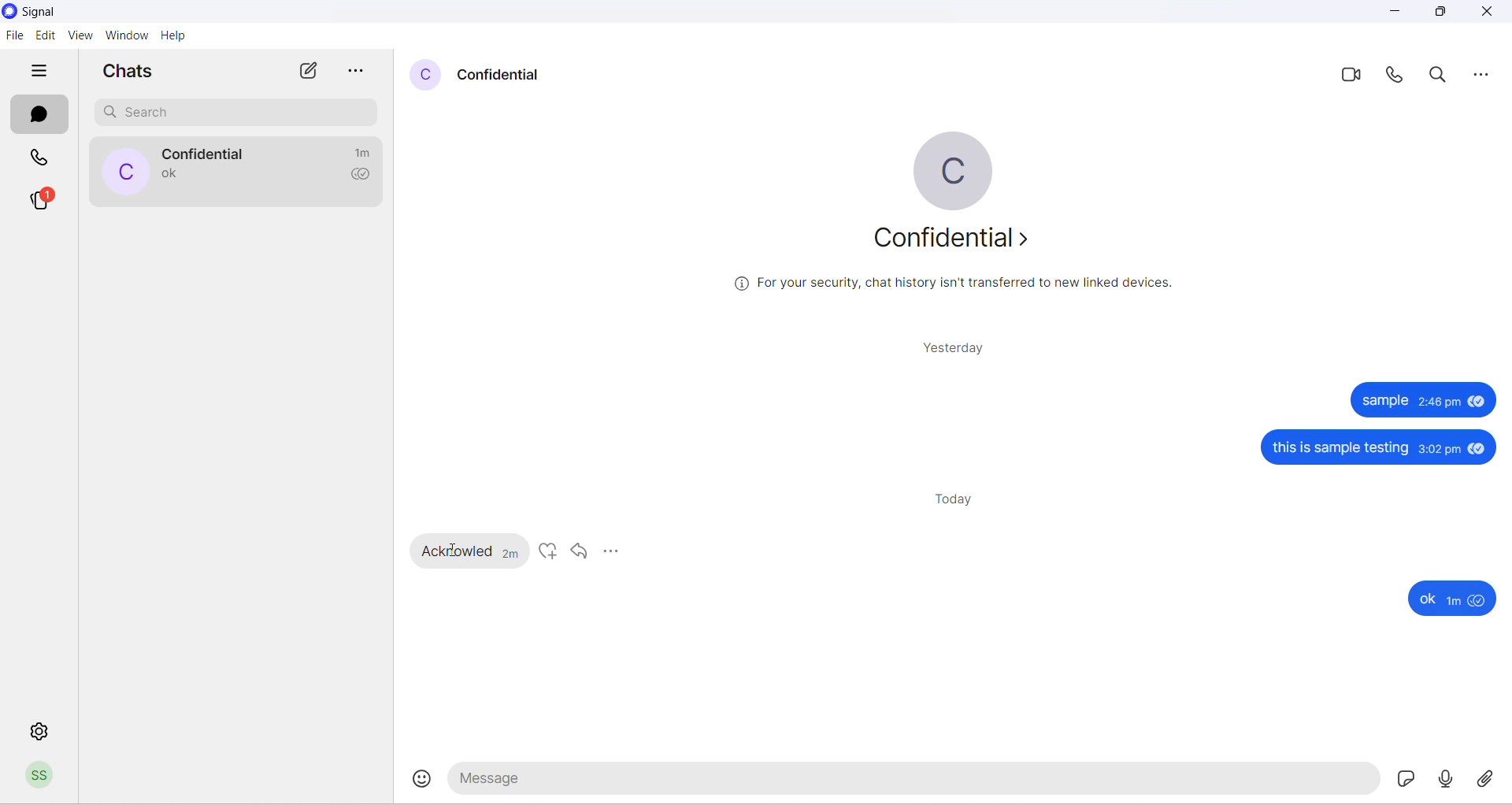  What do you see at coordinates (954, 168) in the screenshot?
I see `profile picture` at bounding box center [954, 168].